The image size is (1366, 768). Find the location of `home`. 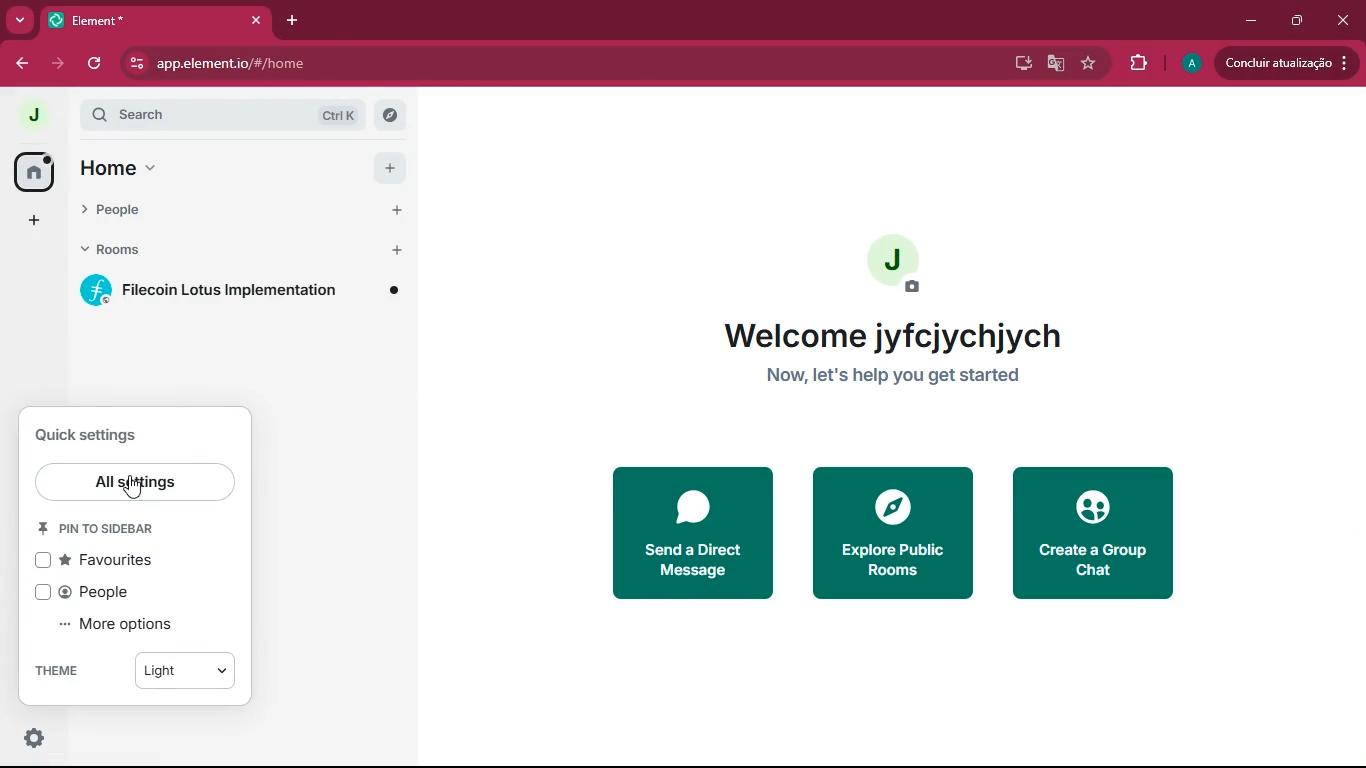

home is located at coordinates (28, 172).